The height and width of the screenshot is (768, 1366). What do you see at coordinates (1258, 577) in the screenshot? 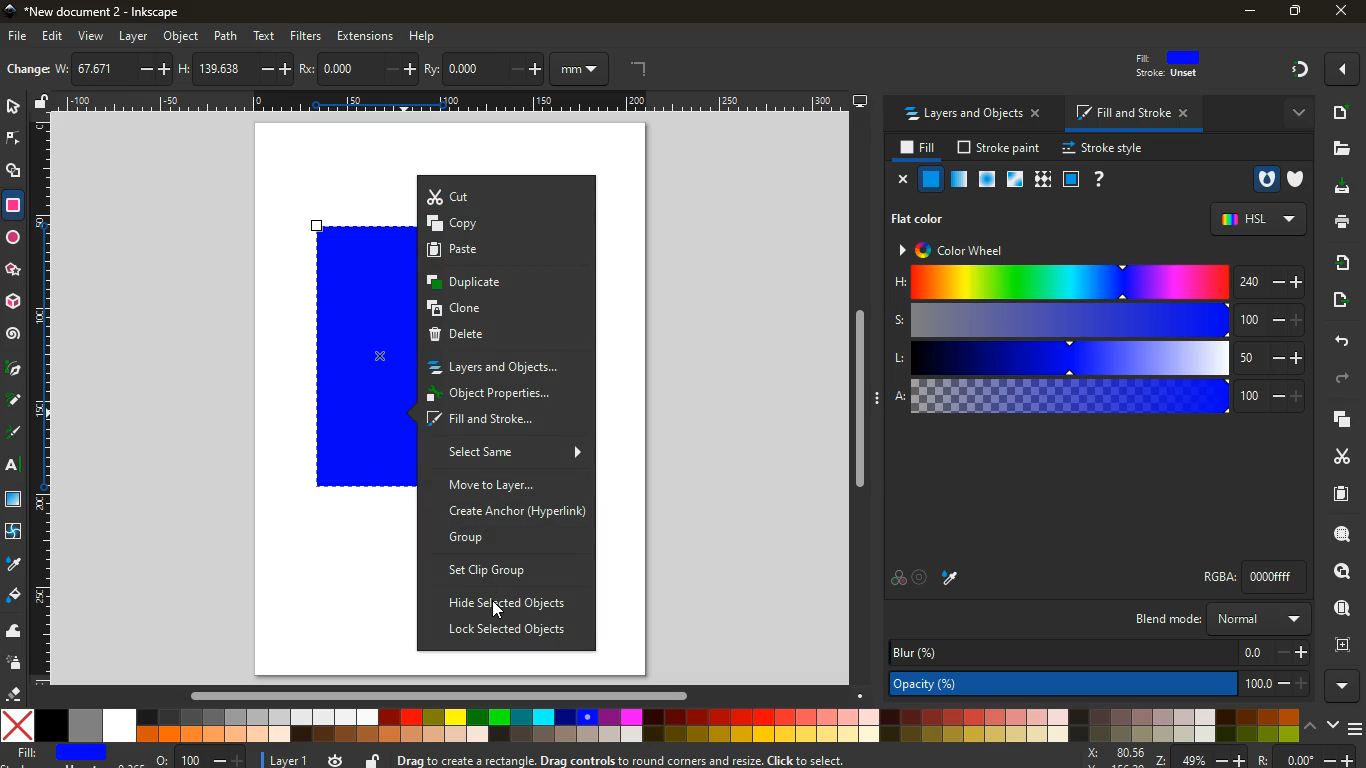
I see `rgba` at bounding box center [1258, 577].